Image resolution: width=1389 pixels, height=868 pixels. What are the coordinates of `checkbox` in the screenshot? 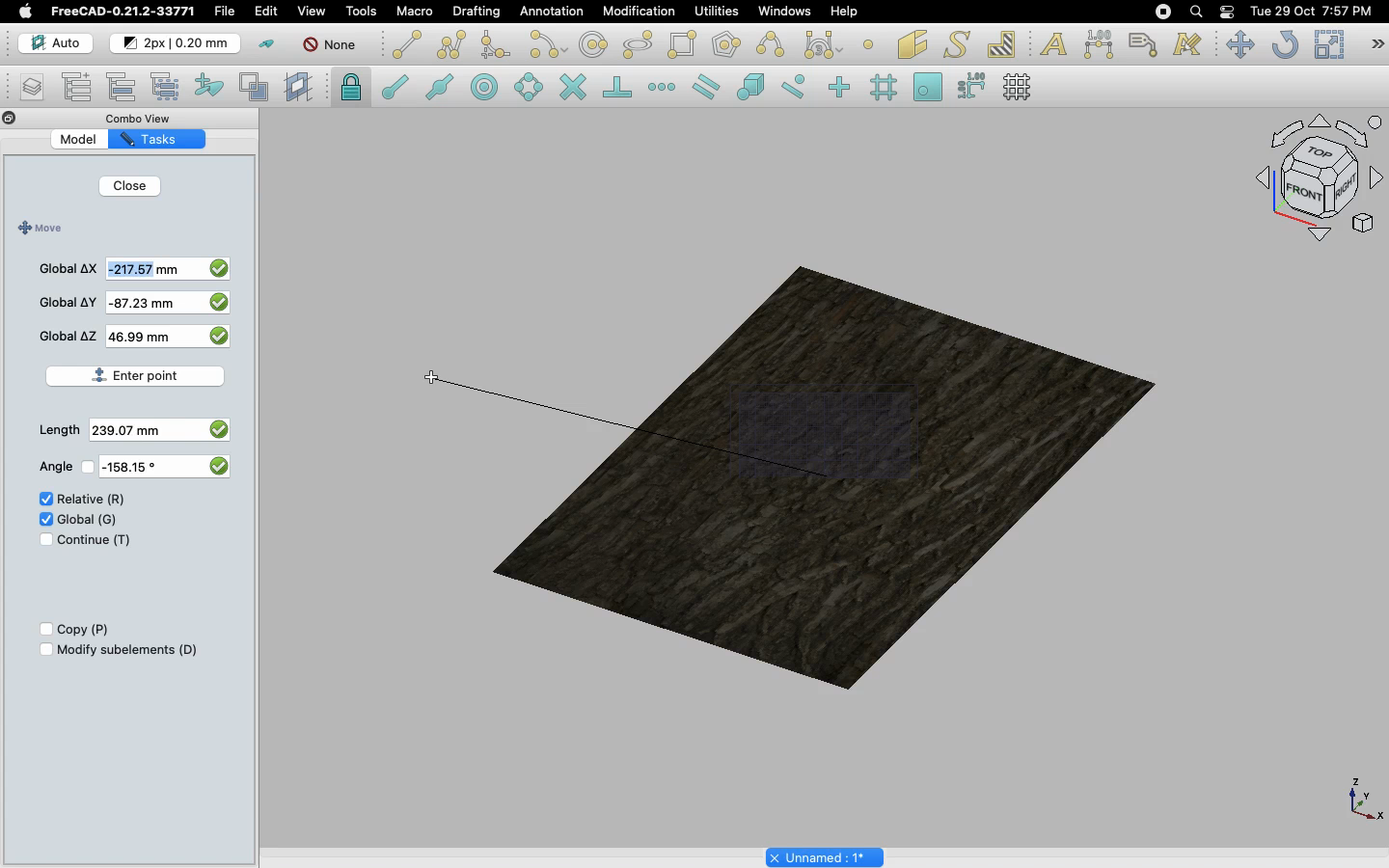 It's located at (222, 339).